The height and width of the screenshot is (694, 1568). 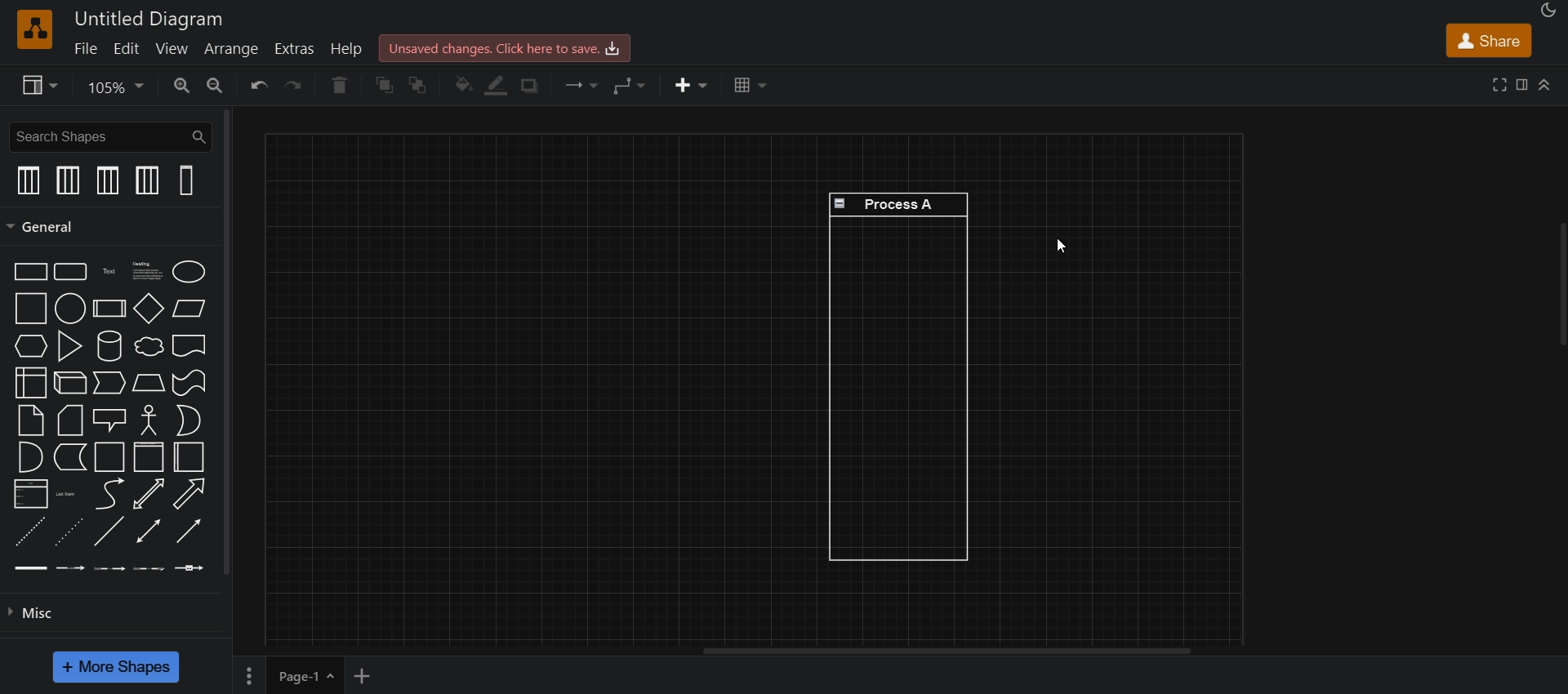 I want to click on line, so click(x=109, y=531).